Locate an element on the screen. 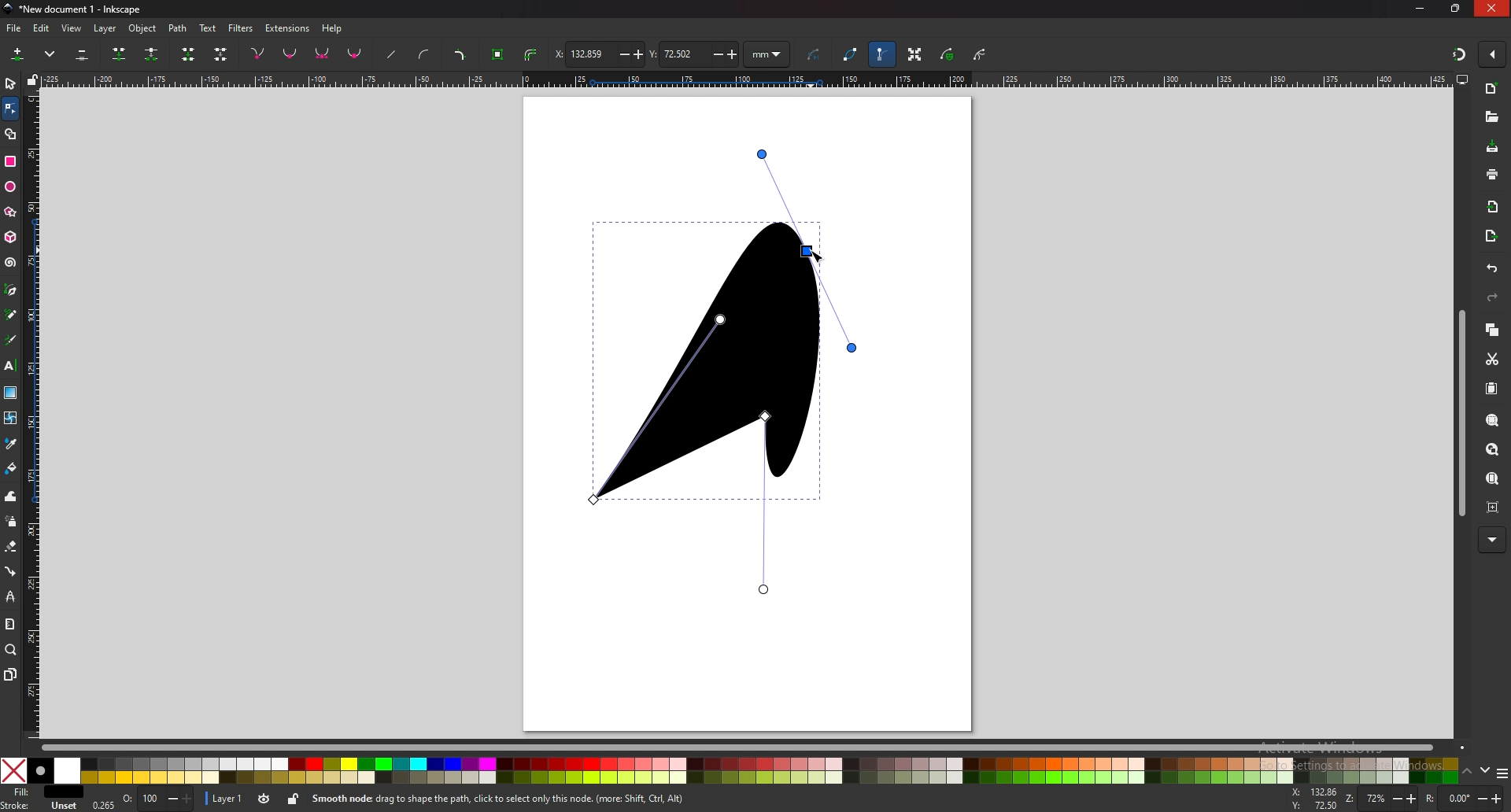  measure is located at coordinates (10, 624).